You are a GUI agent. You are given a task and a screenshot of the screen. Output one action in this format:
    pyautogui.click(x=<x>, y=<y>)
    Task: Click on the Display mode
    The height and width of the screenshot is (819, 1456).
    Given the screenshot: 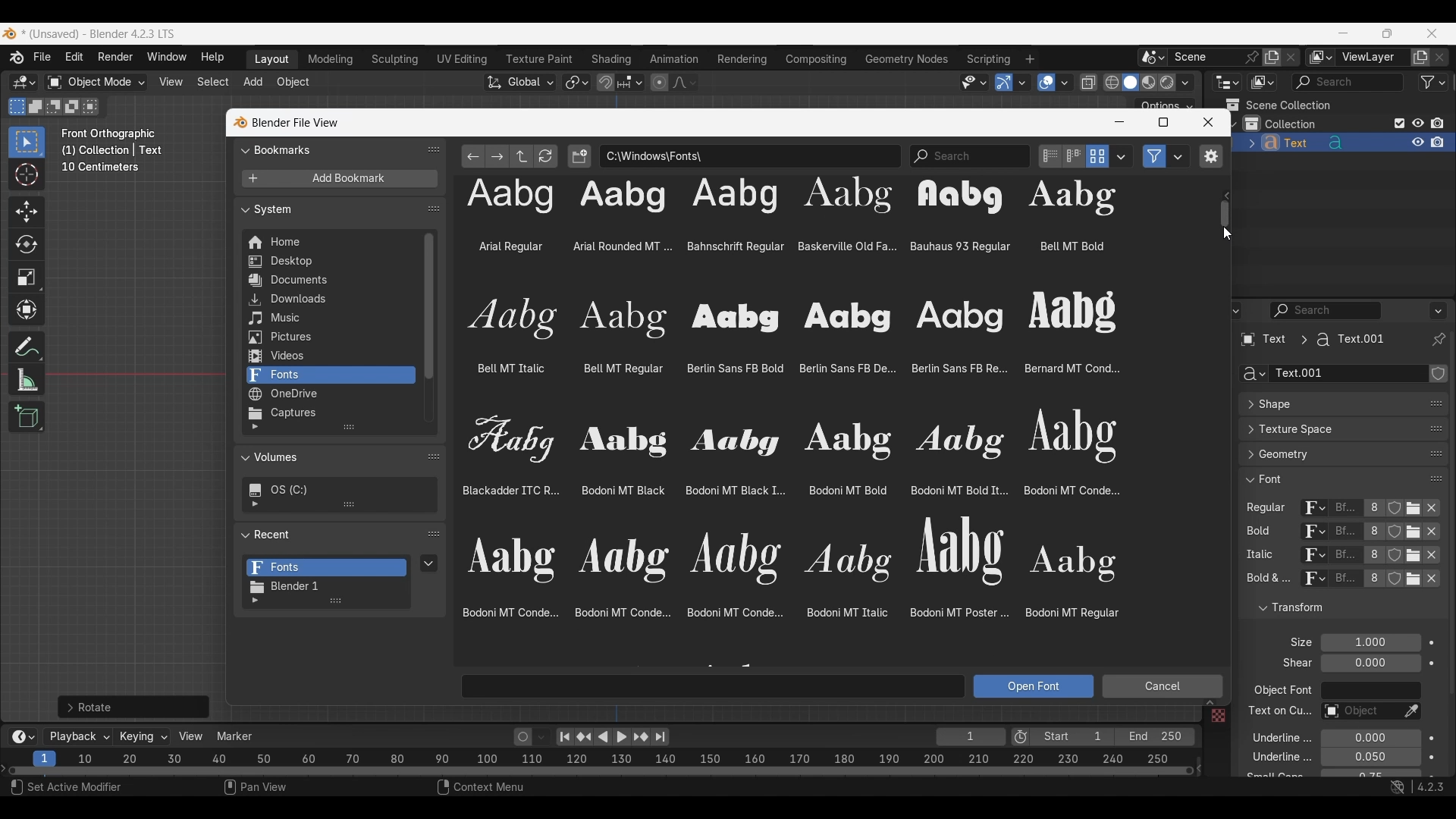 What is the action you would take?
    pyautogui.click(x=1097, y=156)
    